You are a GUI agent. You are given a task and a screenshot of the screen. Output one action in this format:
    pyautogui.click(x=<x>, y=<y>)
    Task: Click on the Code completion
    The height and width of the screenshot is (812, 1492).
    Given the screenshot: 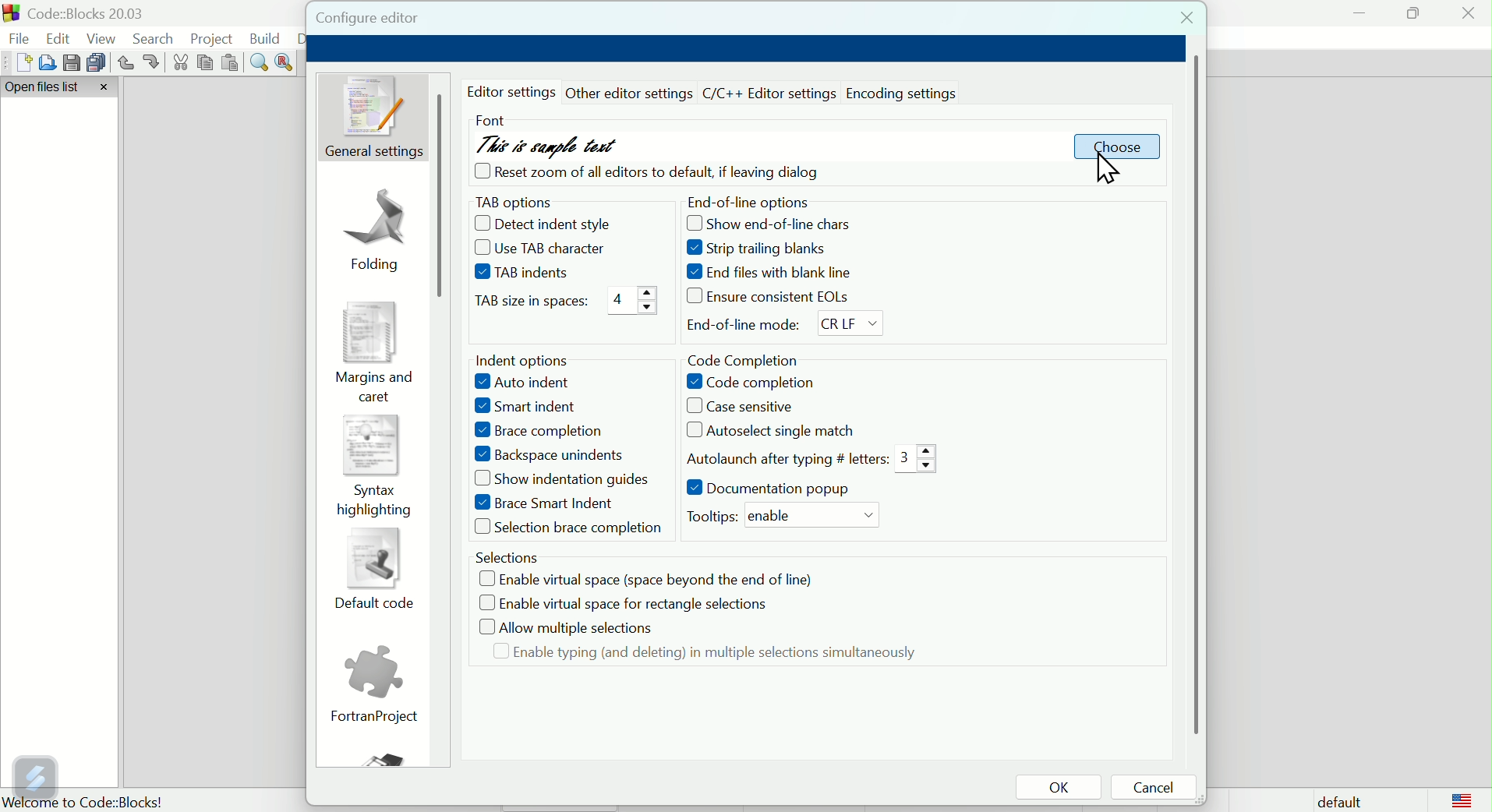 What is the action you would take?
    pyautogui.click(x=744, y=359)
    